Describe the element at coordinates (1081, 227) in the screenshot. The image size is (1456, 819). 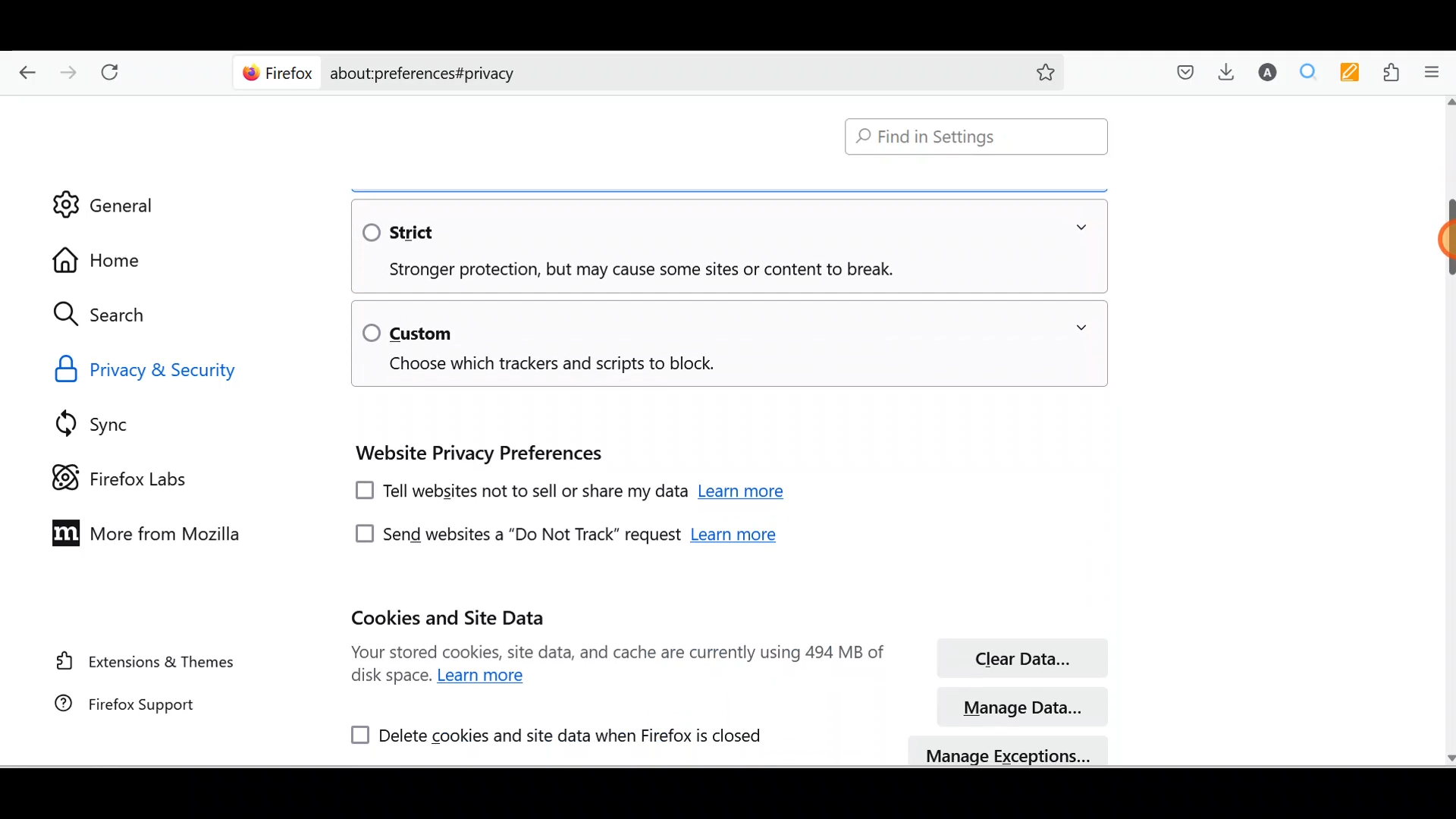
I see `expand` at that location.